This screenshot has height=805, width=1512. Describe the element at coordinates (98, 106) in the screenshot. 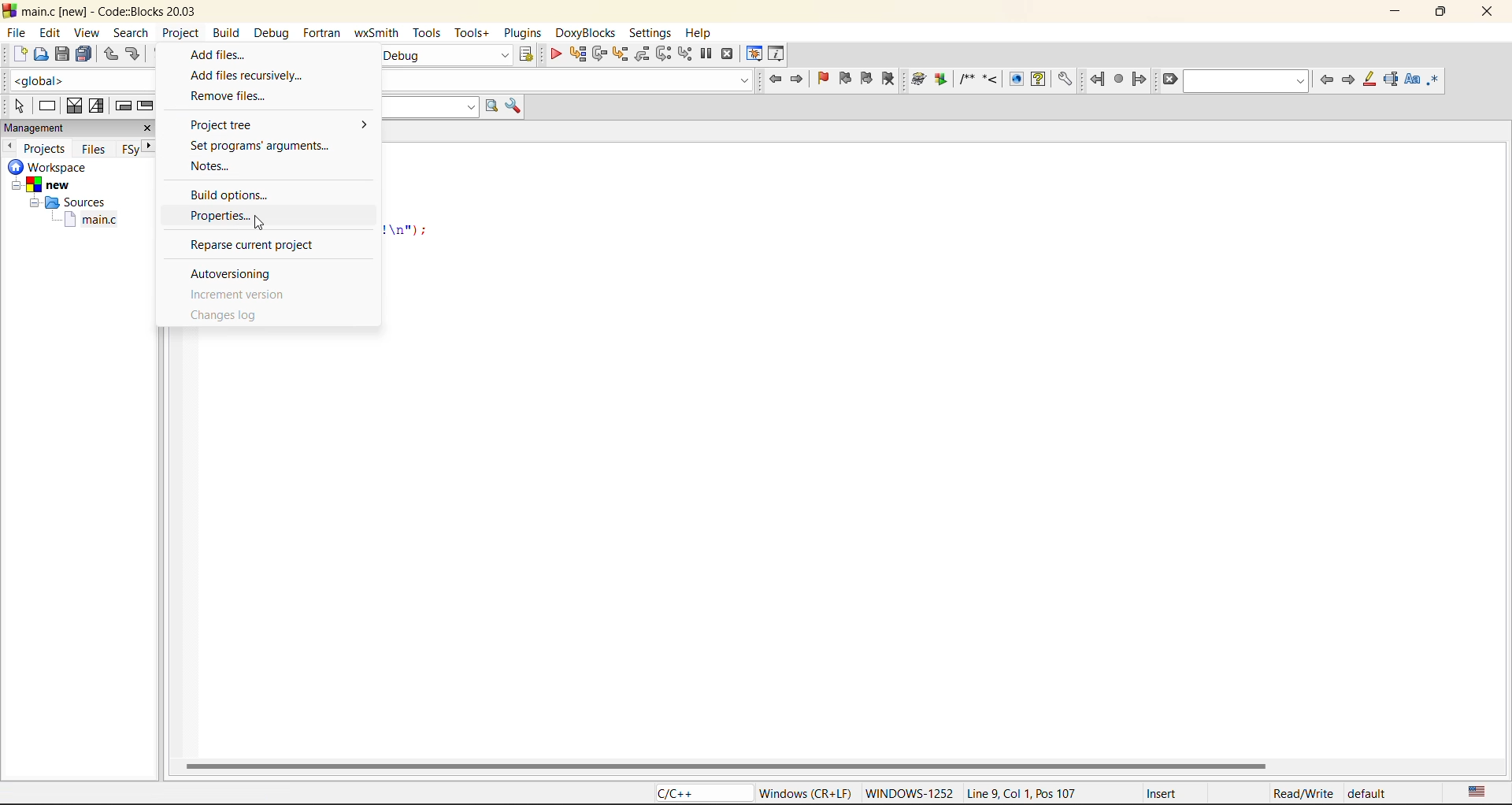

I see `selection` at that location.